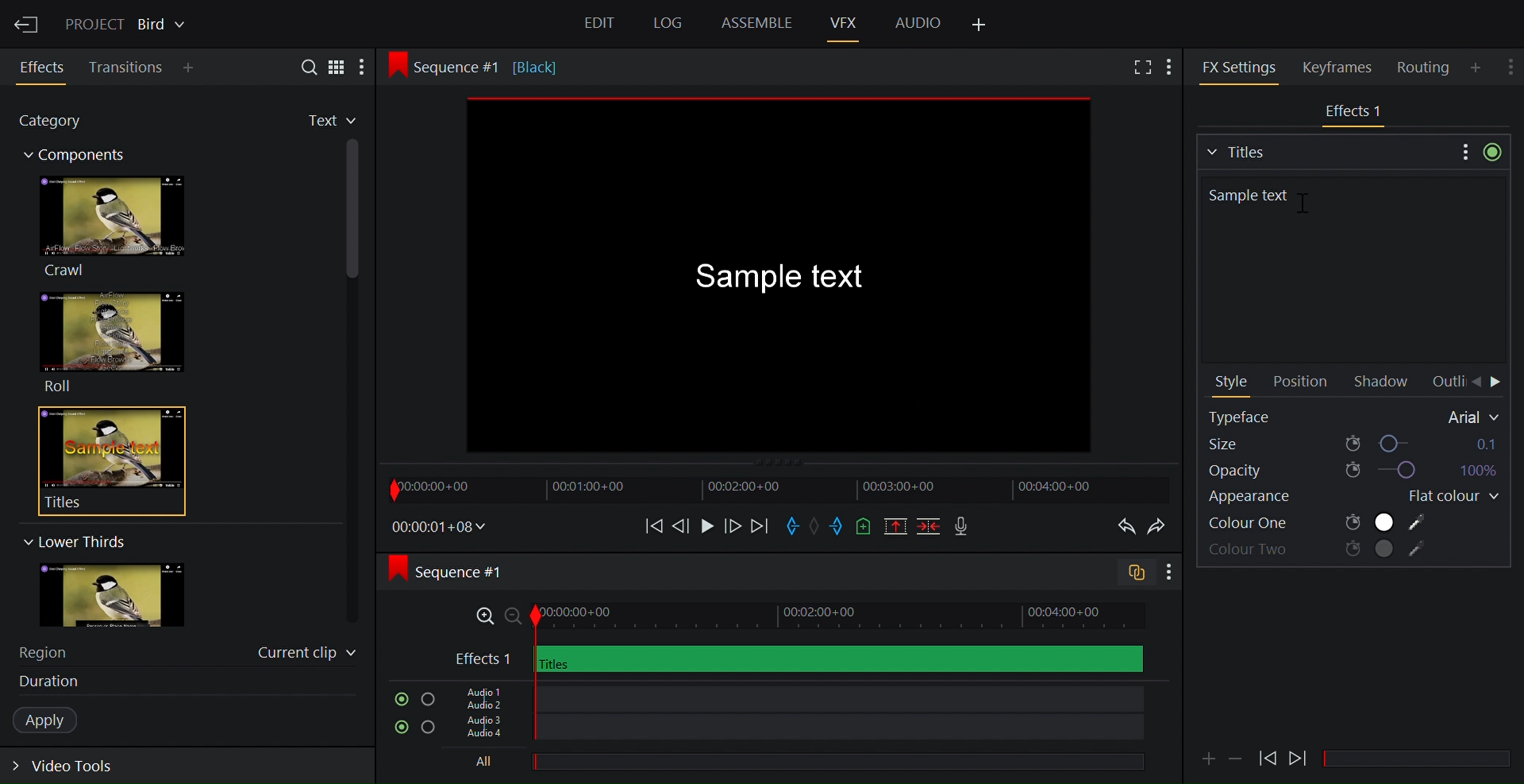 The height and width of the screenshot is (784, 1524). Describe the element at coordinates (1173, 65) in the screenshot. I see `Add Panel` at that location.